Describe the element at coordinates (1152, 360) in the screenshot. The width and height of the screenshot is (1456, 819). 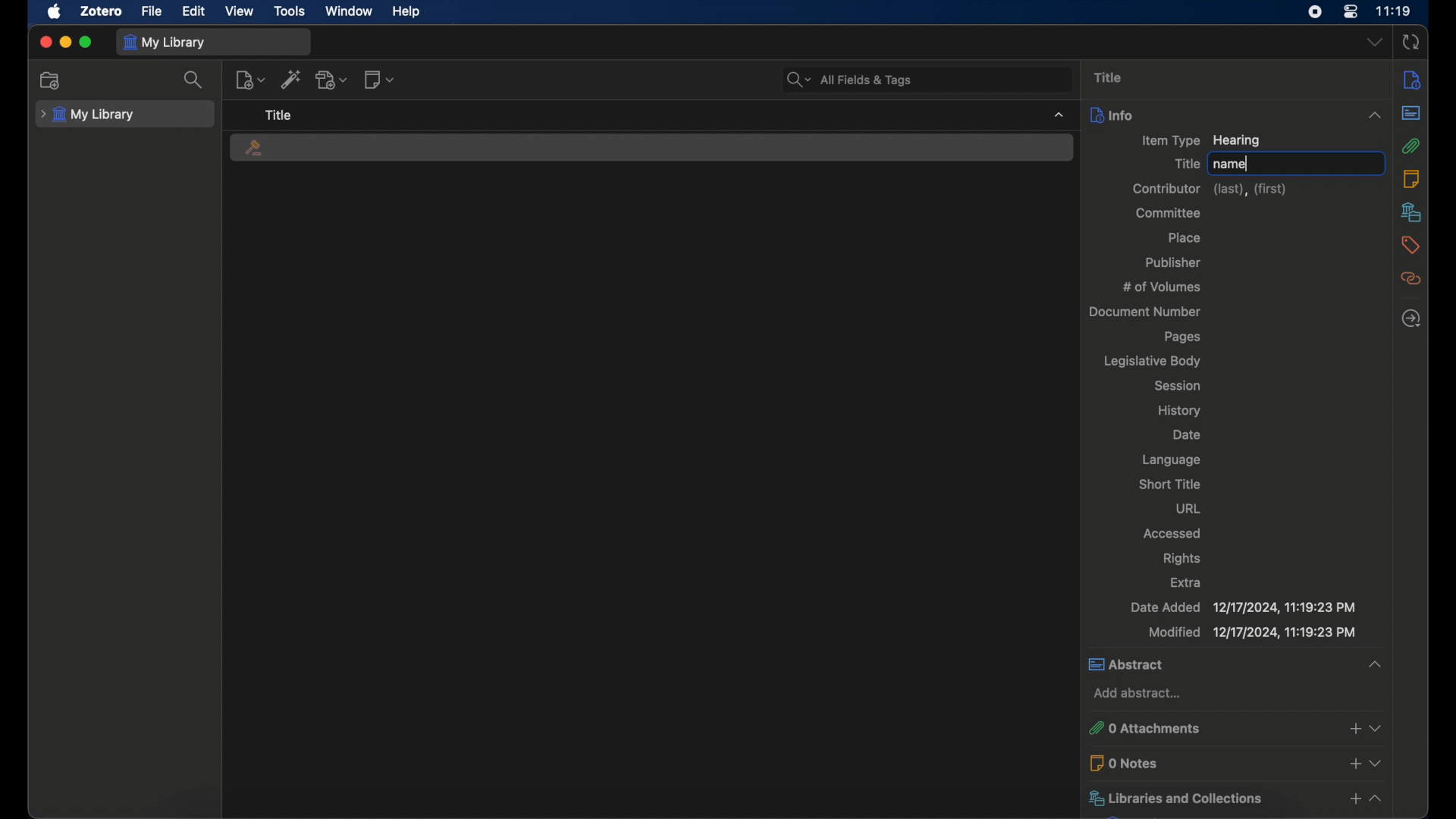
I see `legislative body` at that location.